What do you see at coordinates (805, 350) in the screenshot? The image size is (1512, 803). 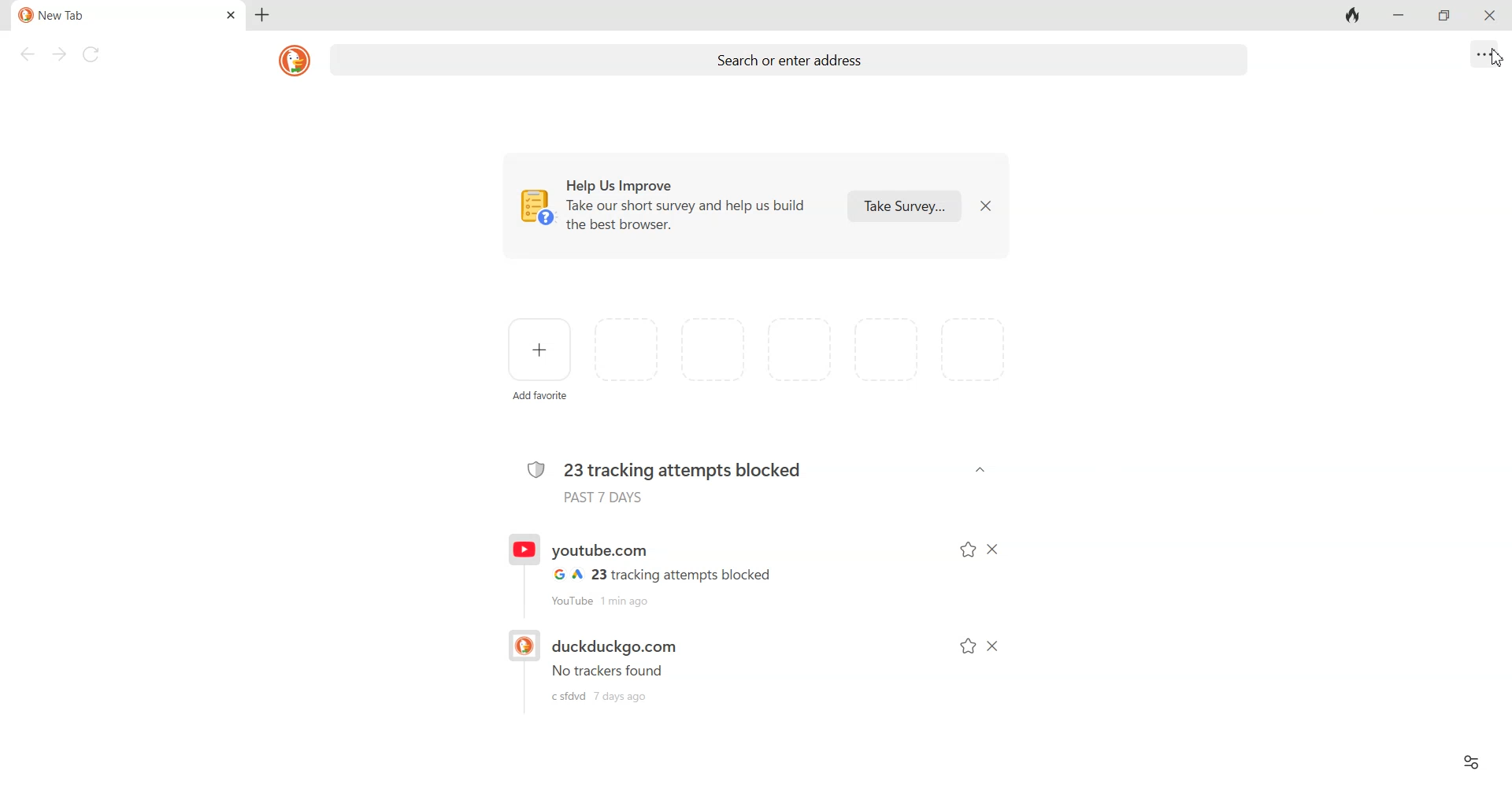 I see `space for favorites` at bounding box center [805, 350].